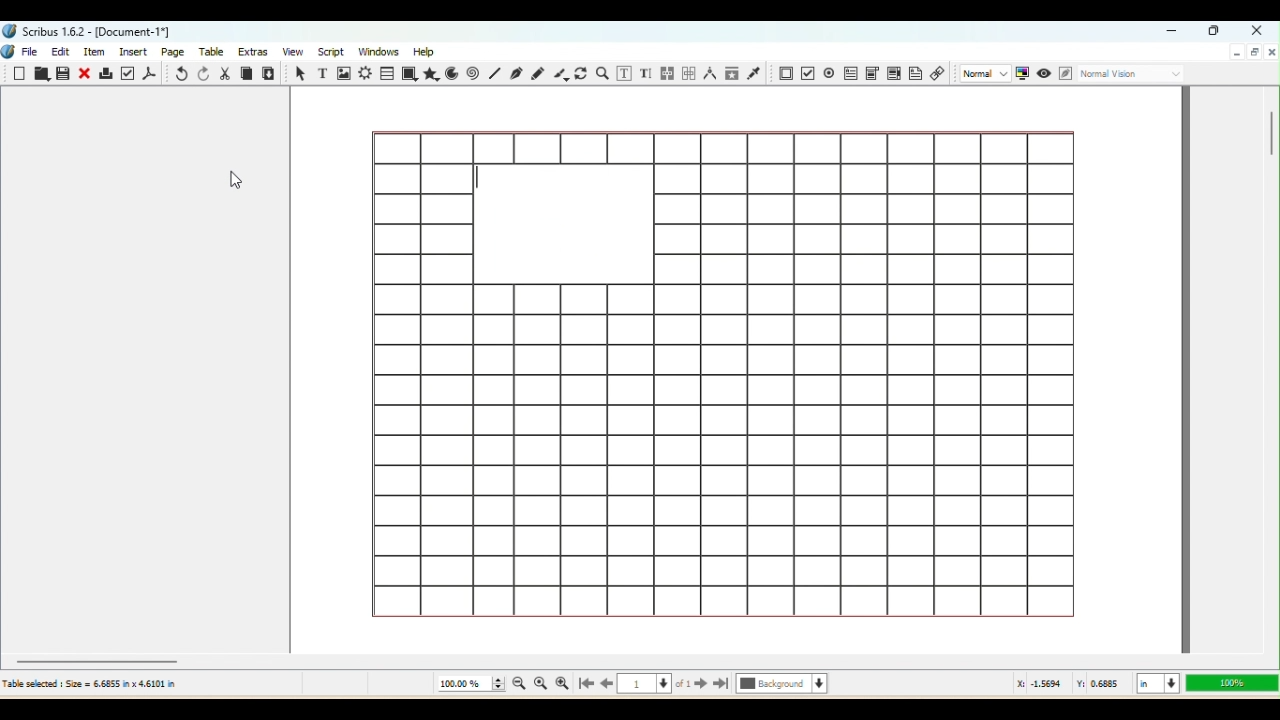  Describe the element at coordinates (90, 683) in the screenshot. I see `Table selected Size 6.6855 in x 4.6101 in` at that location.